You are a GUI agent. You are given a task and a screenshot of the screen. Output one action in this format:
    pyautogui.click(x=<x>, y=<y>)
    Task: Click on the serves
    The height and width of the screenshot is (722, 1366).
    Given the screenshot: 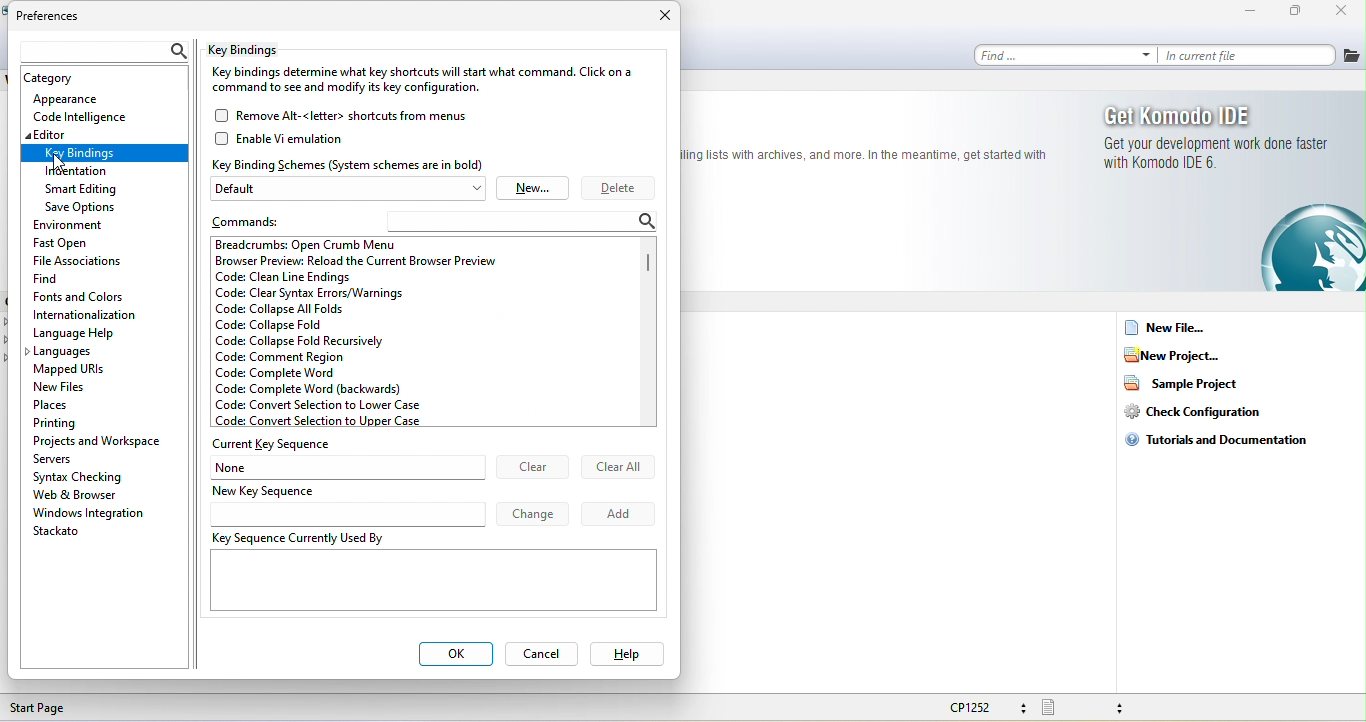 What is the action you would take?
    pyautogui.click(x=59, y=458)
    